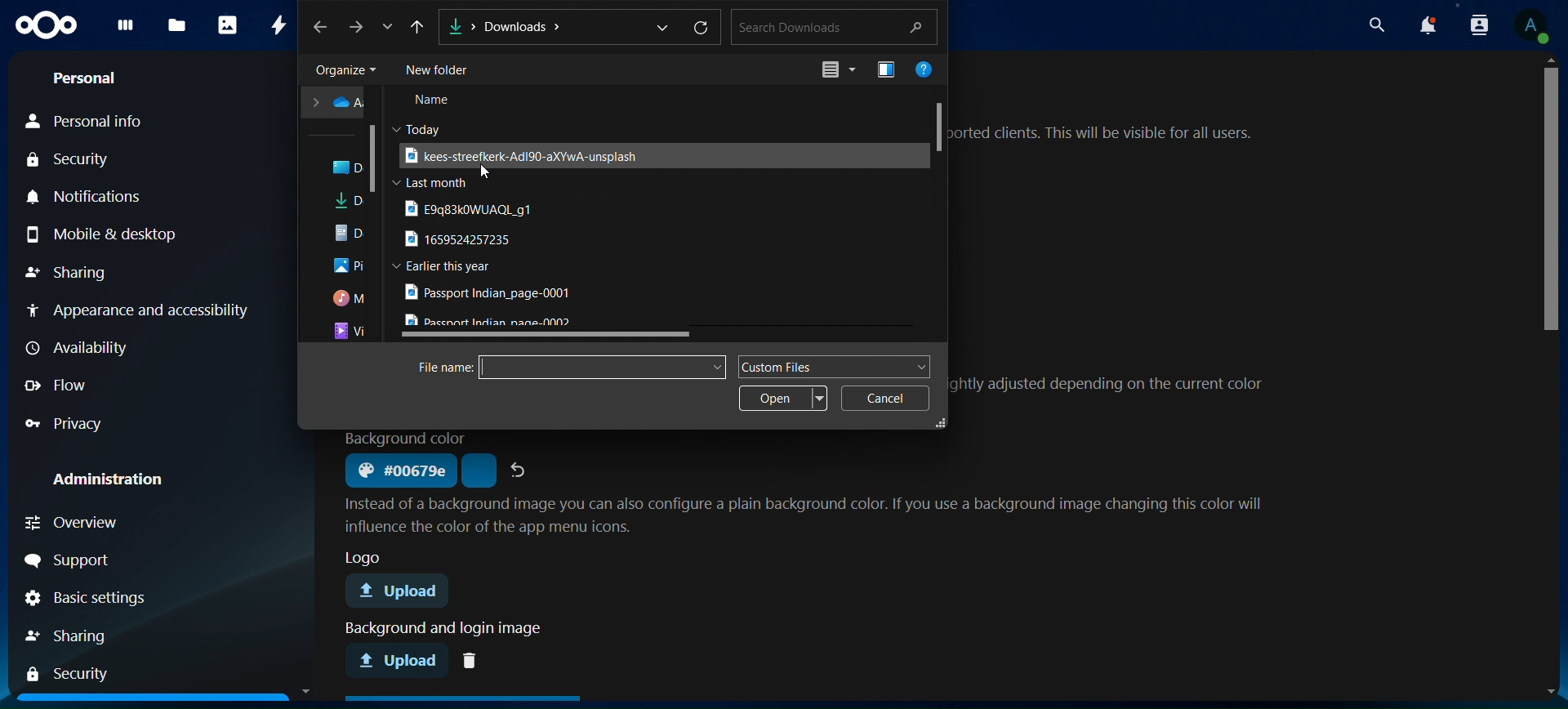 The height and width of the screenshot is (709, 1568). I want to click on folder, so click(350, 168).